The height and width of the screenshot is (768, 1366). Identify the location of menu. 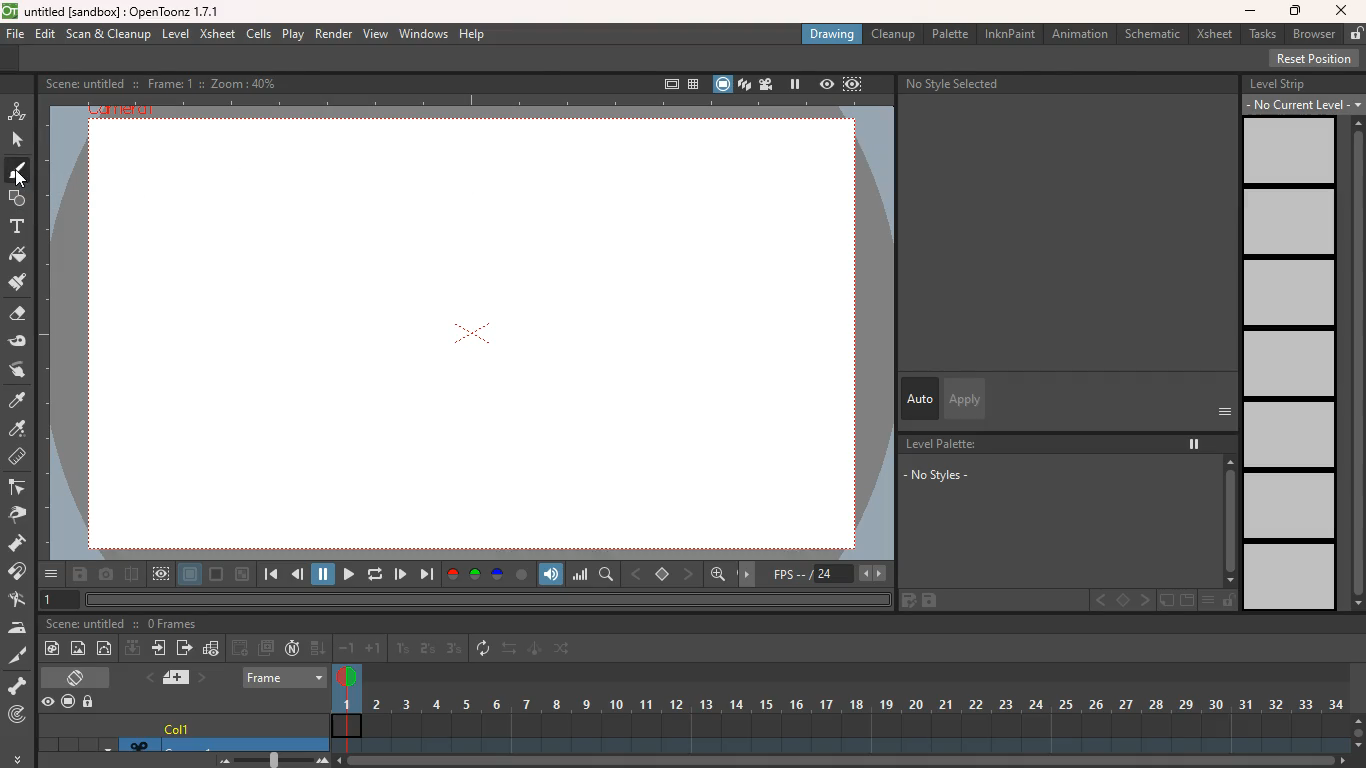
(1356, 105).